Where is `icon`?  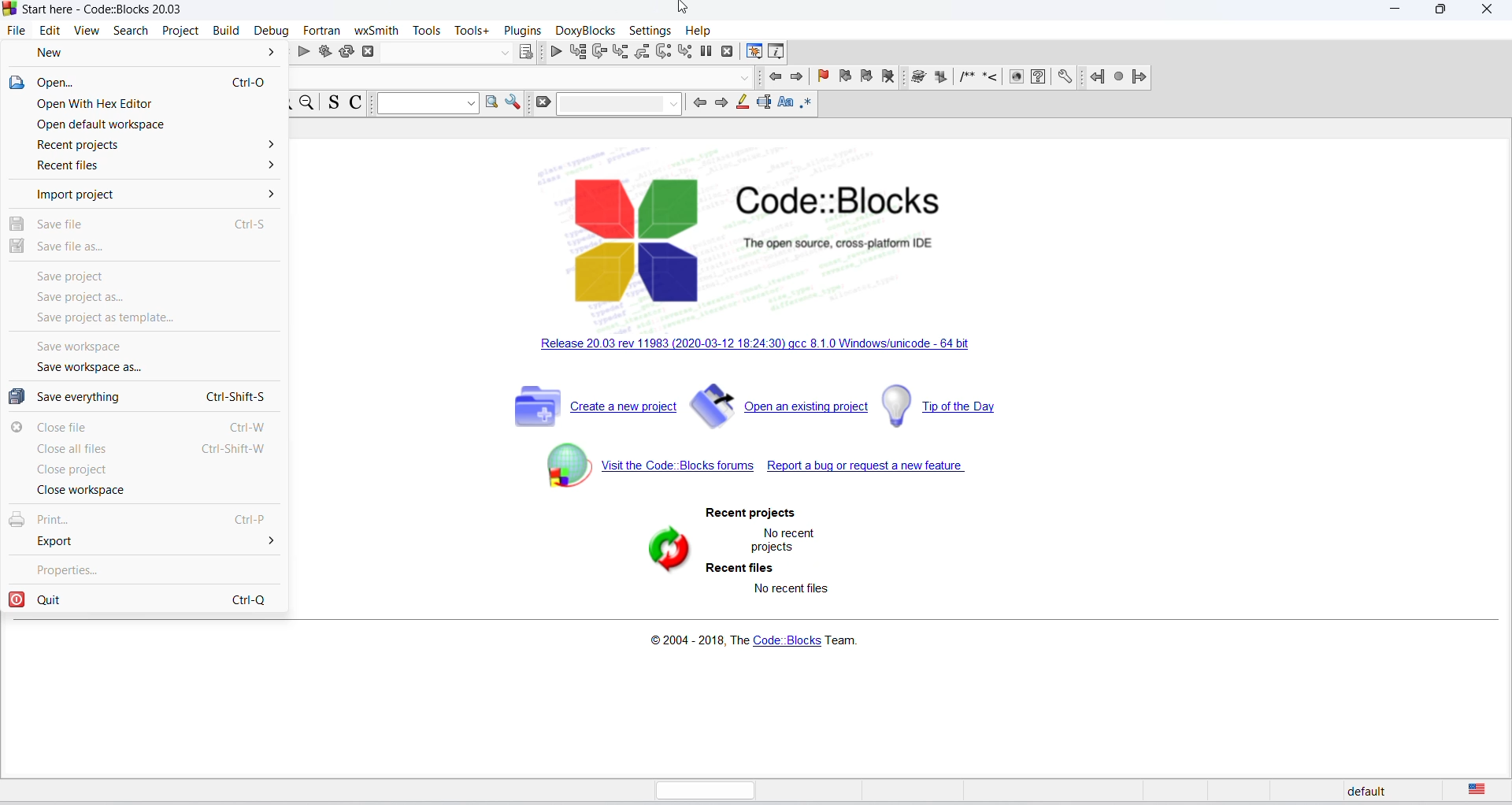 icon is located at coordinates (918, 78).